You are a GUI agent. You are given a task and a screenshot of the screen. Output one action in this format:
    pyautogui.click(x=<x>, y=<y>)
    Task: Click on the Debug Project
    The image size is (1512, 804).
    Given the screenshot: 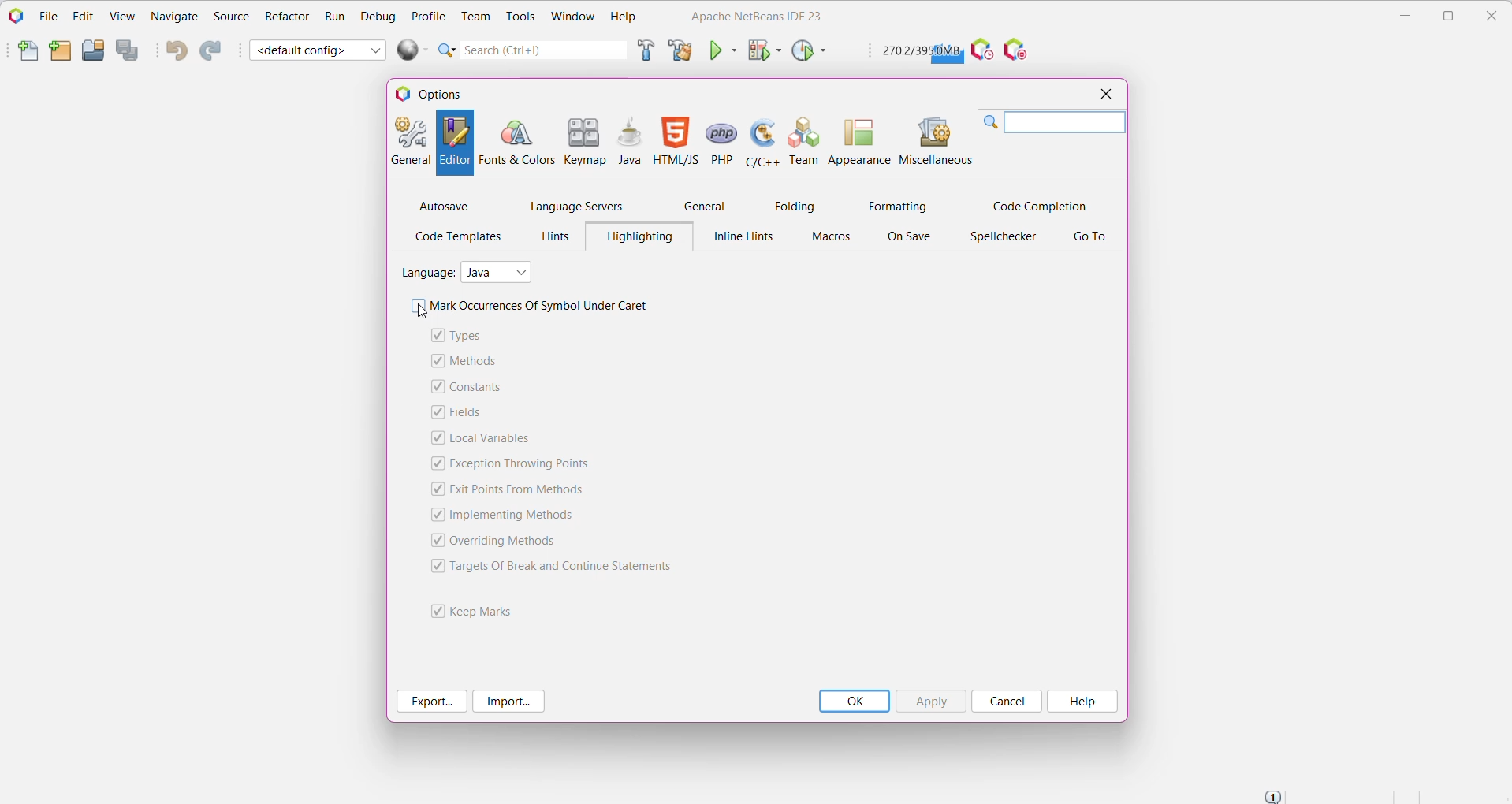 What is the action you would take?
    pyautogui.click(x=763, y=50)
    